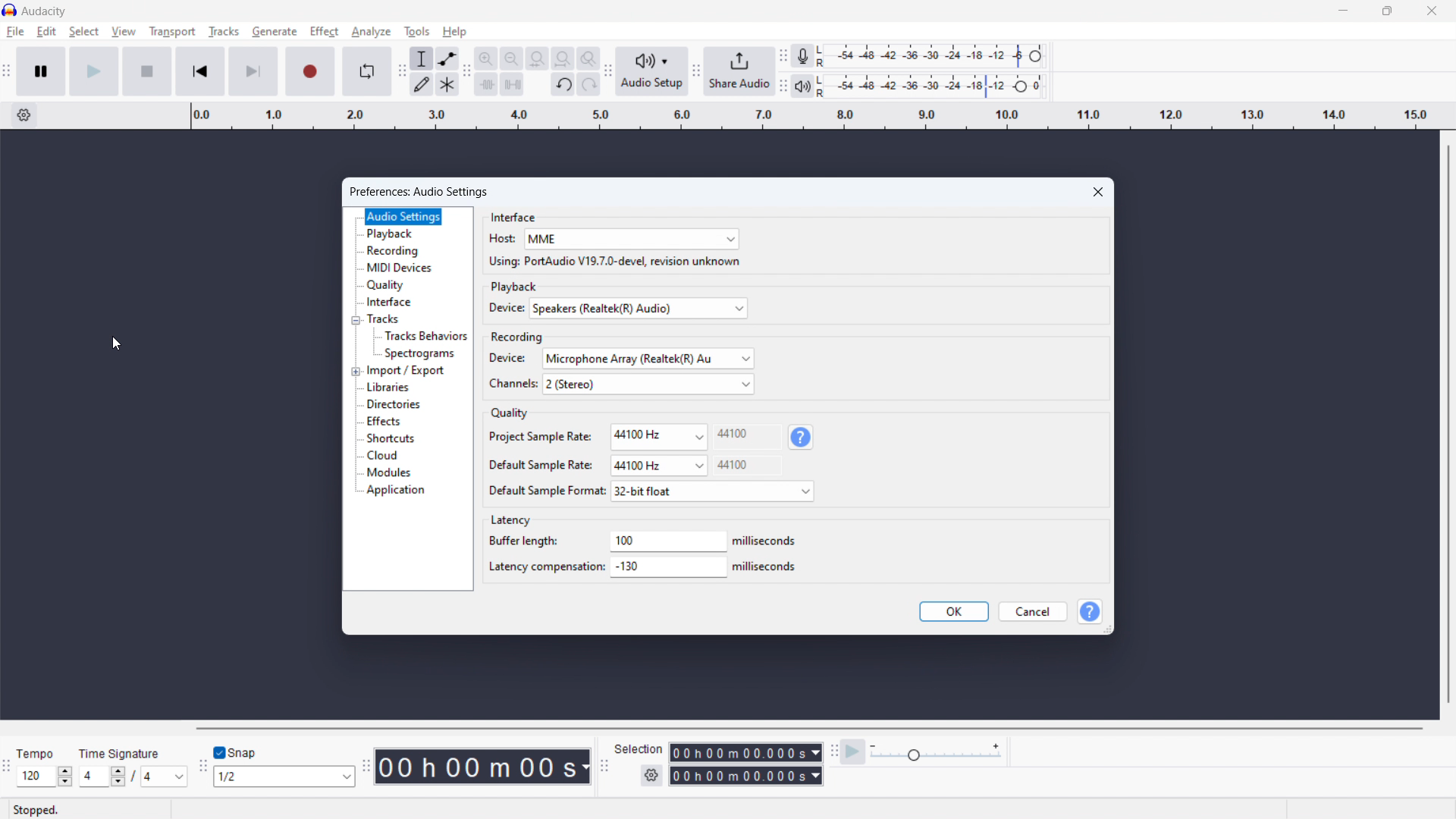 This screenshot has height=819, width=1456. Describe the element at coordinates (422, 58) in the screenshot. I see `selection tool` at that location.